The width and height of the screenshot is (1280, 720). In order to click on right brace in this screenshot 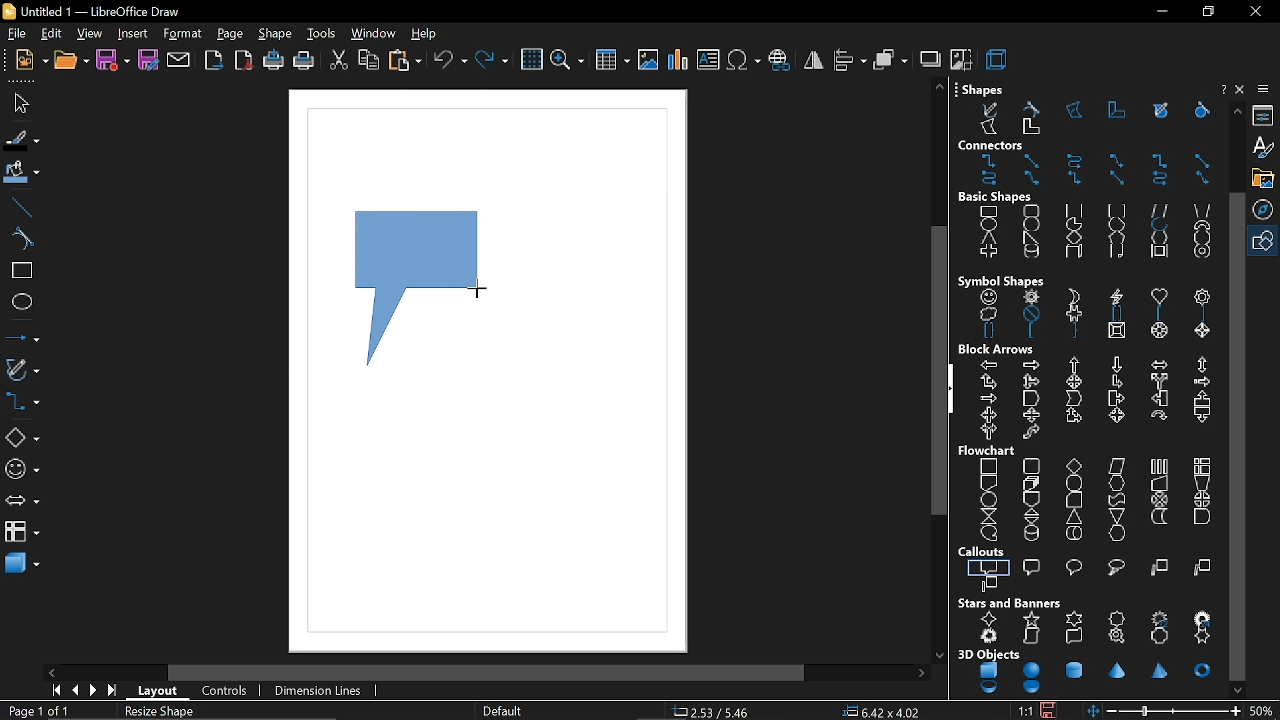, I will do `click(1074, 333)`.